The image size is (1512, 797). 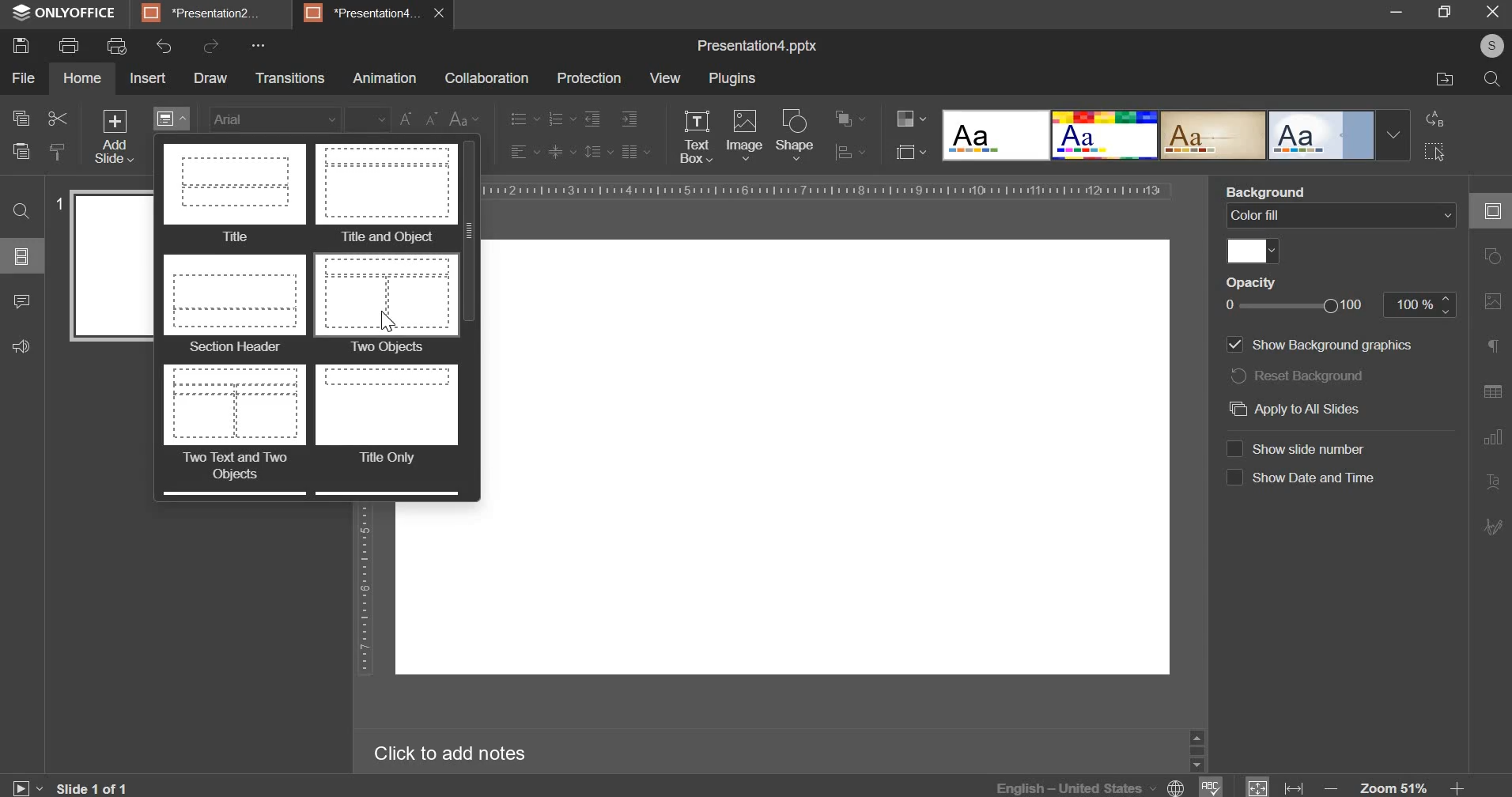 What do you see at coordinates (561, 152) in the screenshot?
I see `vertical alignment` at bounding box center [561, 152].